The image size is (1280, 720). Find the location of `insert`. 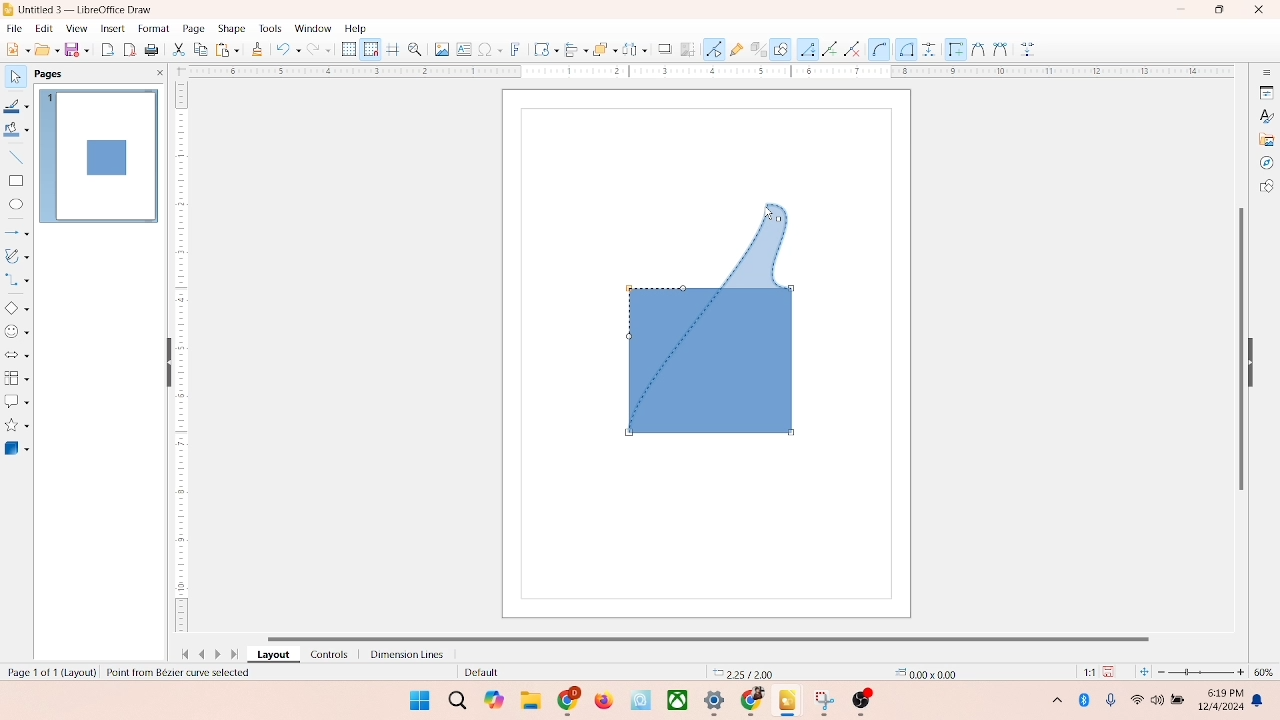

insert is located at coordinates (111, 28).